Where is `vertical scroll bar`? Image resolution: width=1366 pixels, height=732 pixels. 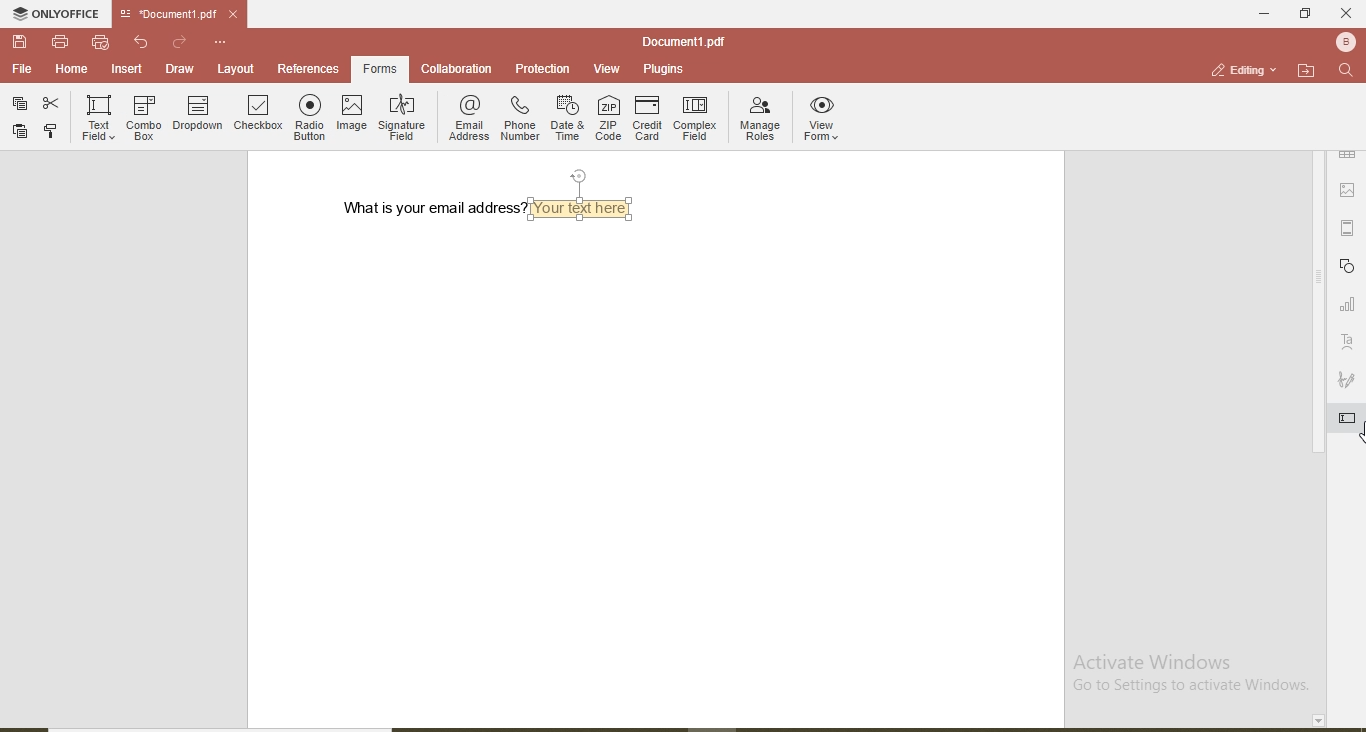
vertical scroll bar is located at coordinates (1317, 304).